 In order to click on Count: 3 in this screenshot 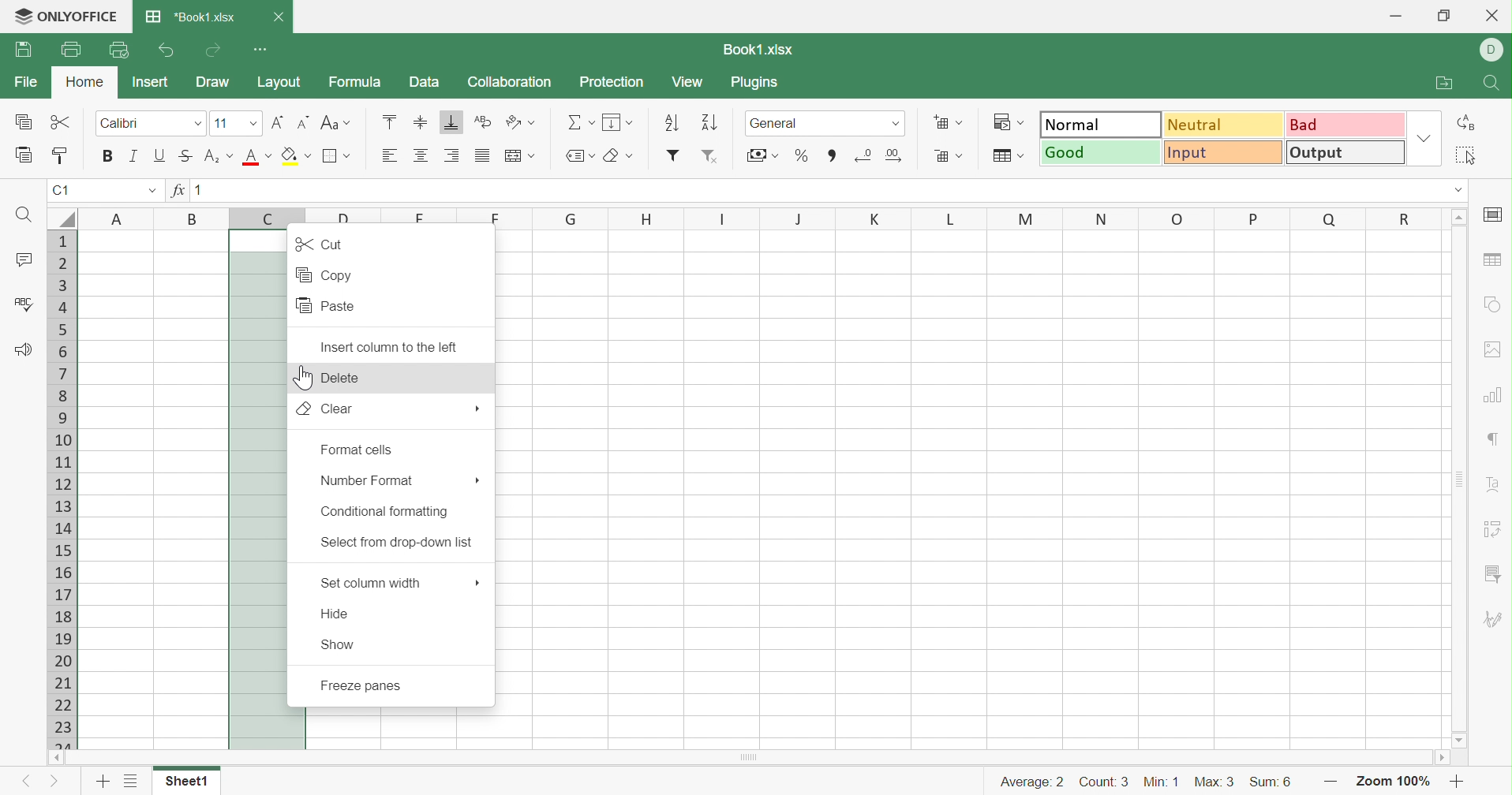, I will do `click(1106, 780)`.